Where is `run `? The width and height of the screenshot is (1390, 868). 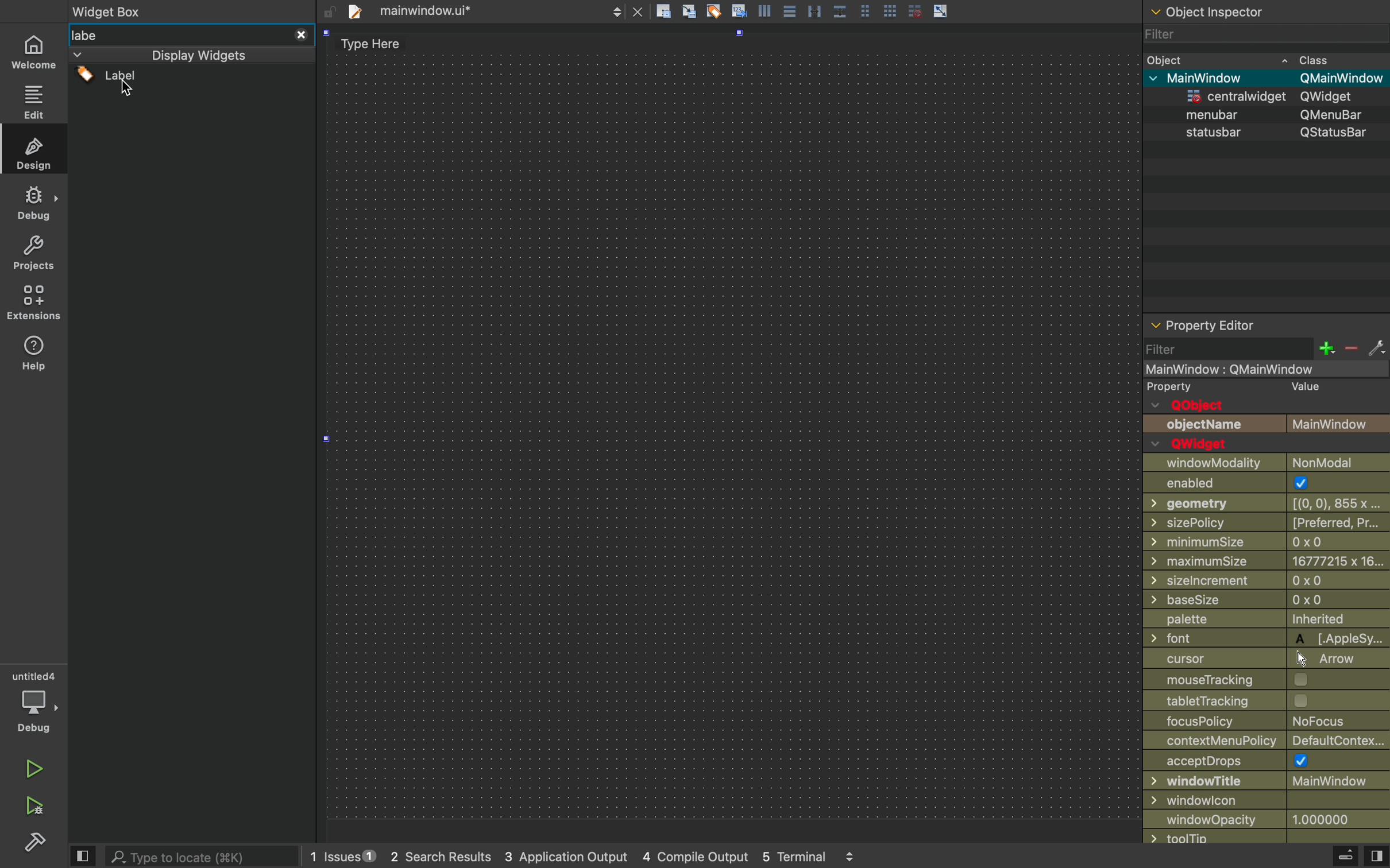 run  is located at coordinates (31, 767).